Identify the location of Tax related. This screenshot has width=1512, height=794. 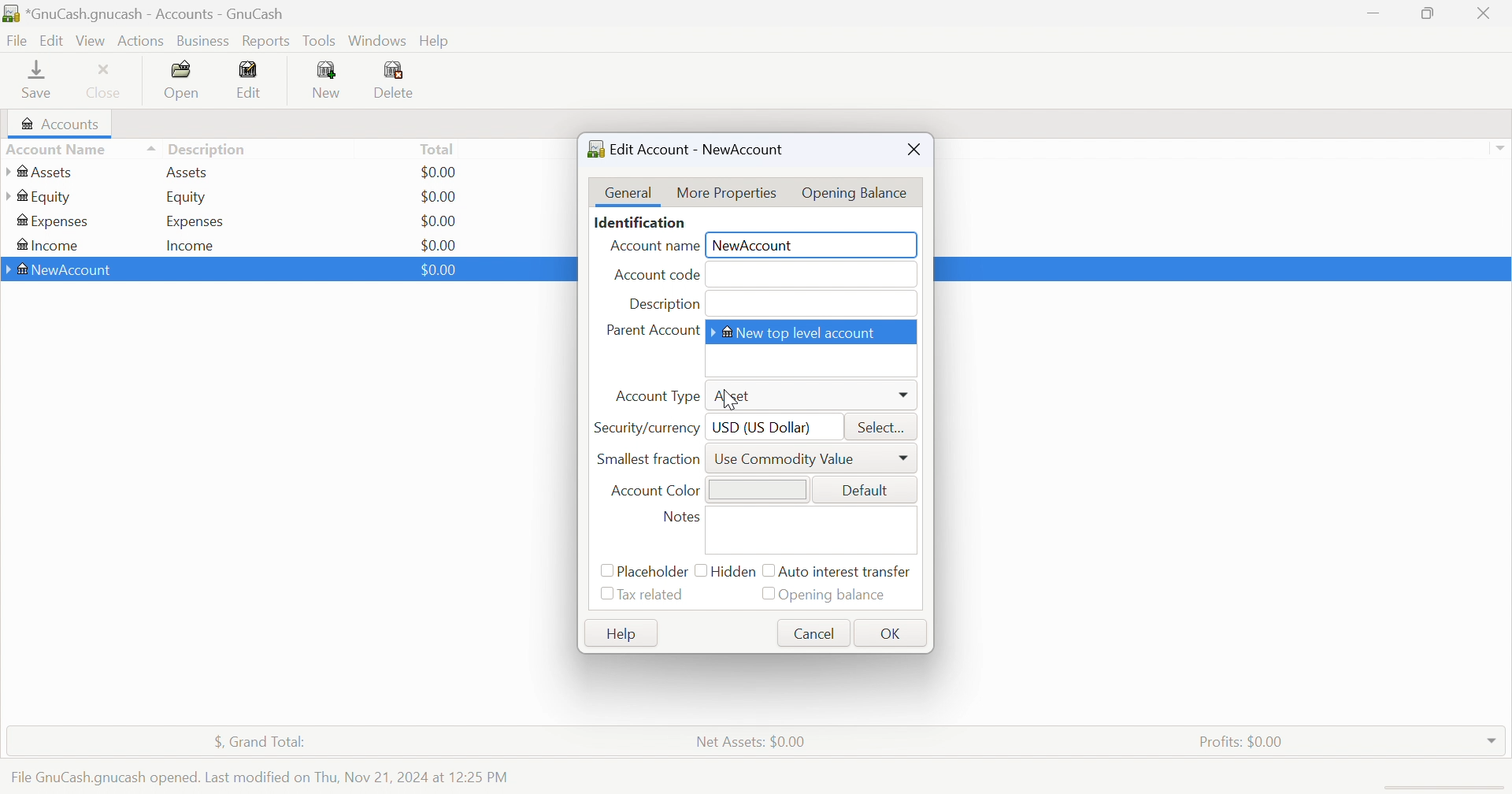
(654, 595).